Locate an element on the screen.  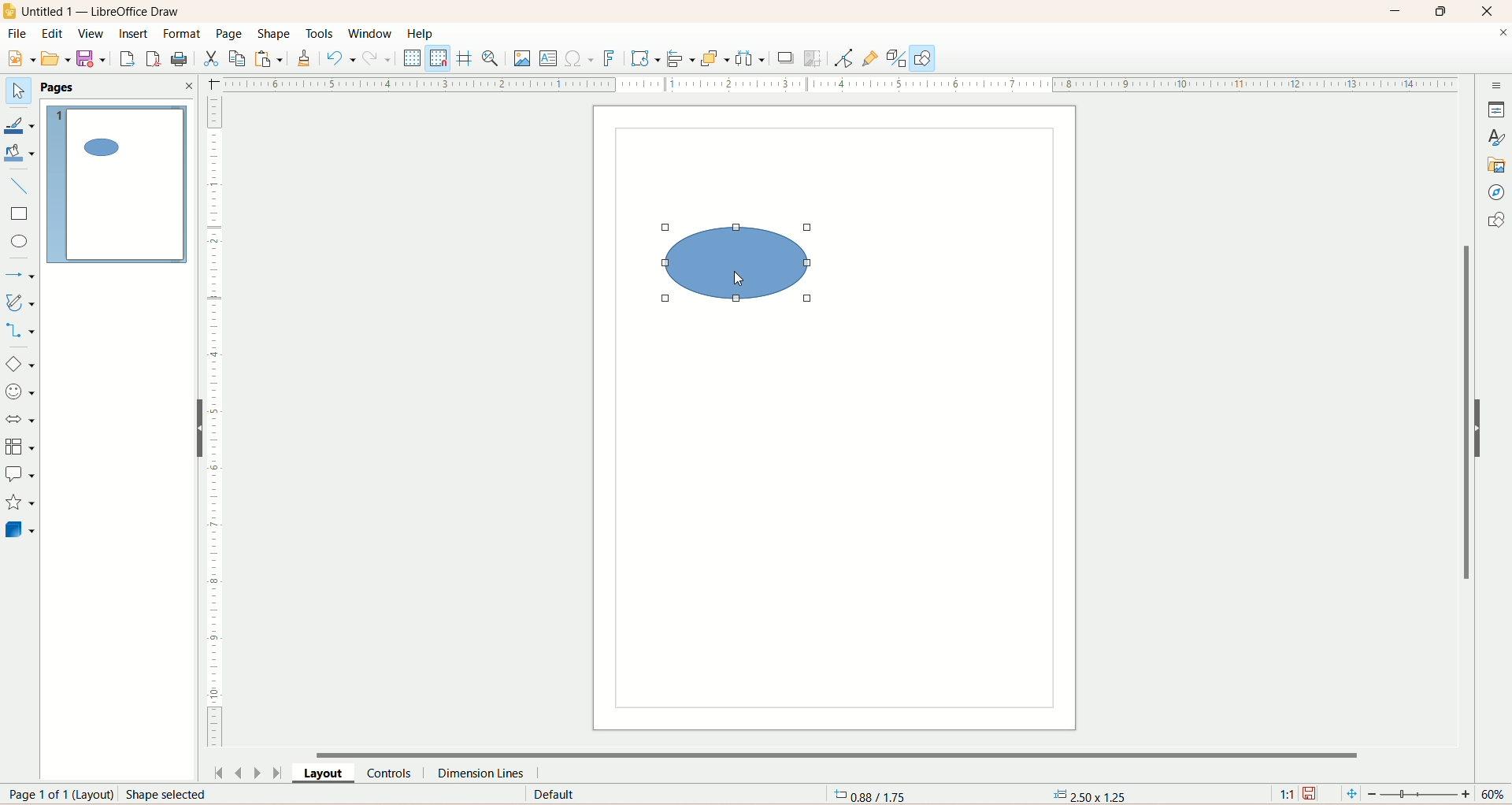
arrange is located at coordinates (715, 60).